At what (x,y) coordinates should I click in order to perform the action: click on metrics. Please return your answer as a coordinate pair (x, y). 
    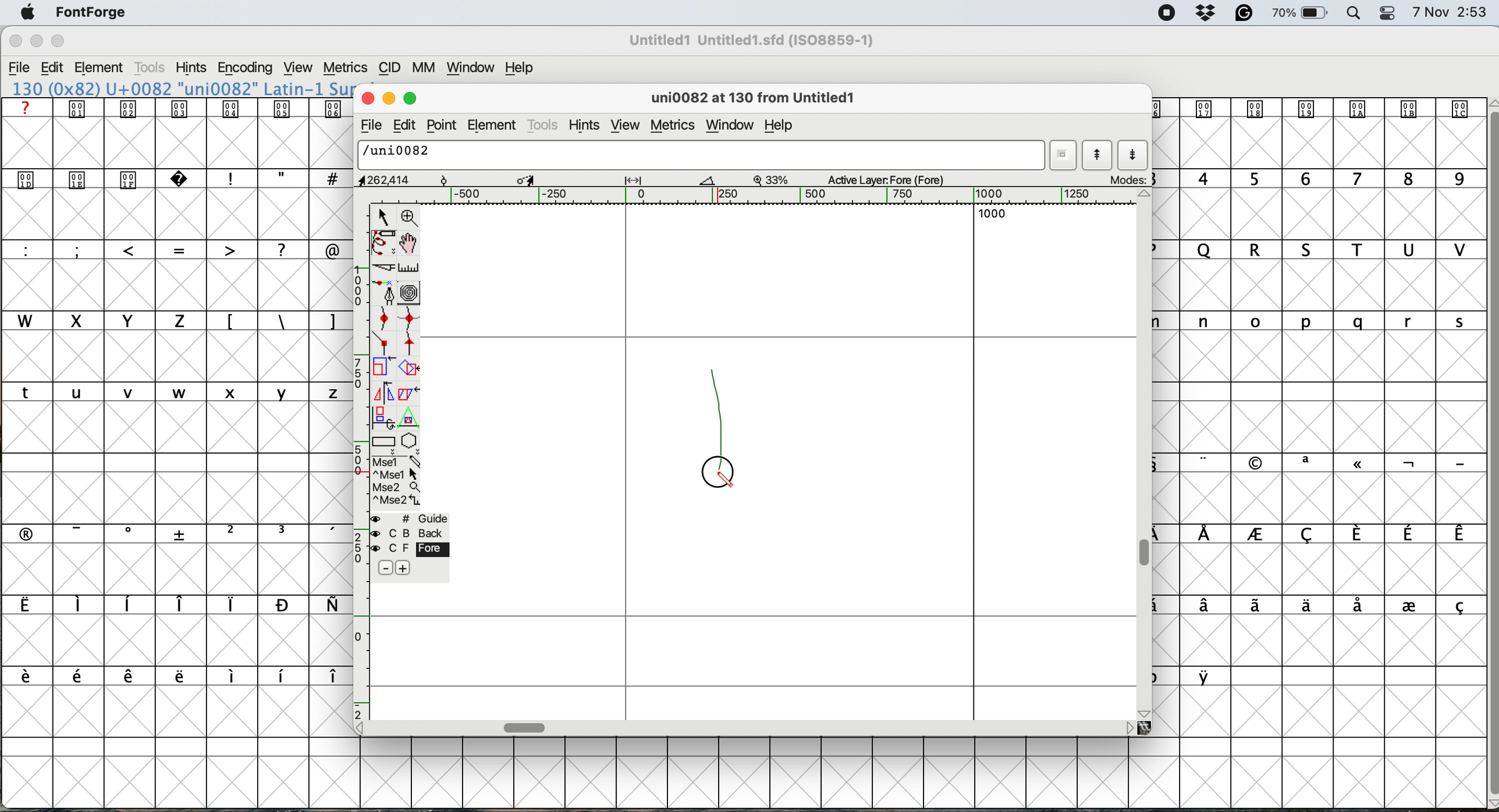
    Looking at the image, I should click on (672, 125).